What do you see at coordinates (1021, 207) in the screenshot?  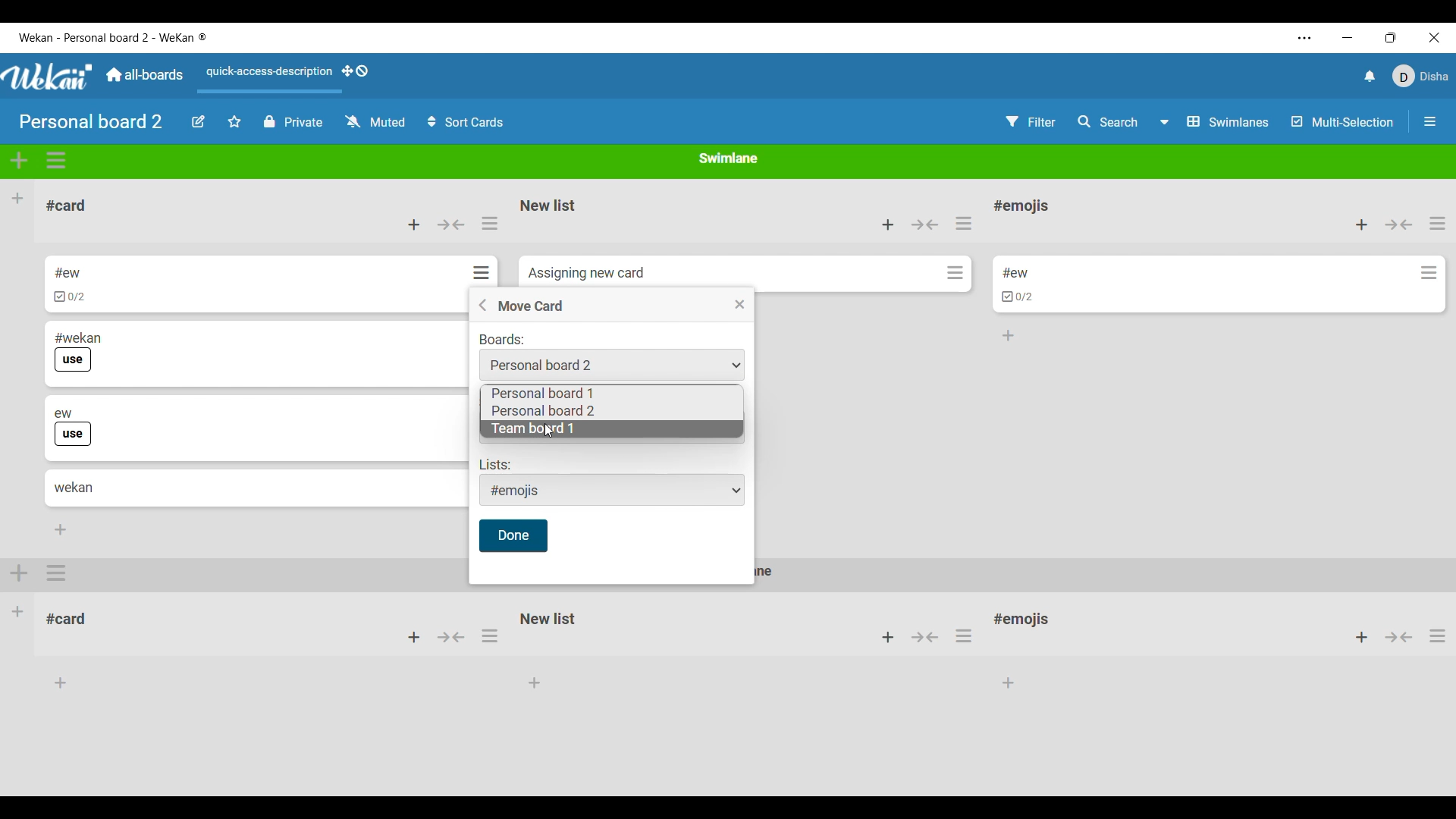 I see `List name` at bounding box center [1021, 207].